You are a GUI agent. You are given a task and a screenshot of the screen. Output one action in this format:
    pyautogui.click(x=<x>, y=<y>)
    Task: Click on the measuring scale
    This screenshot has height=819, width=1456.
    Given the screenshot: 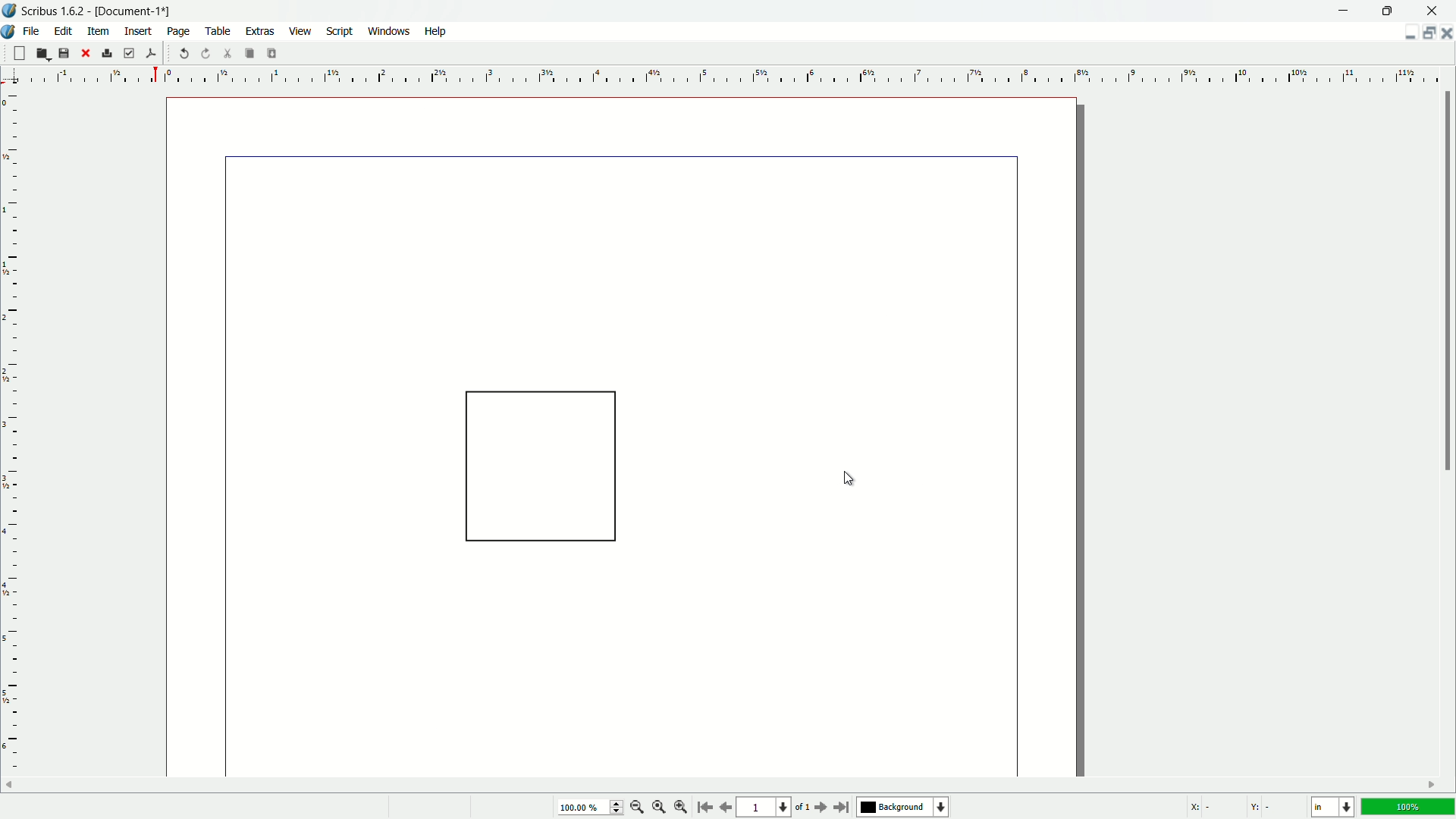 What is the action you would take?
    pyautogui.click(x=745, y=75)
    